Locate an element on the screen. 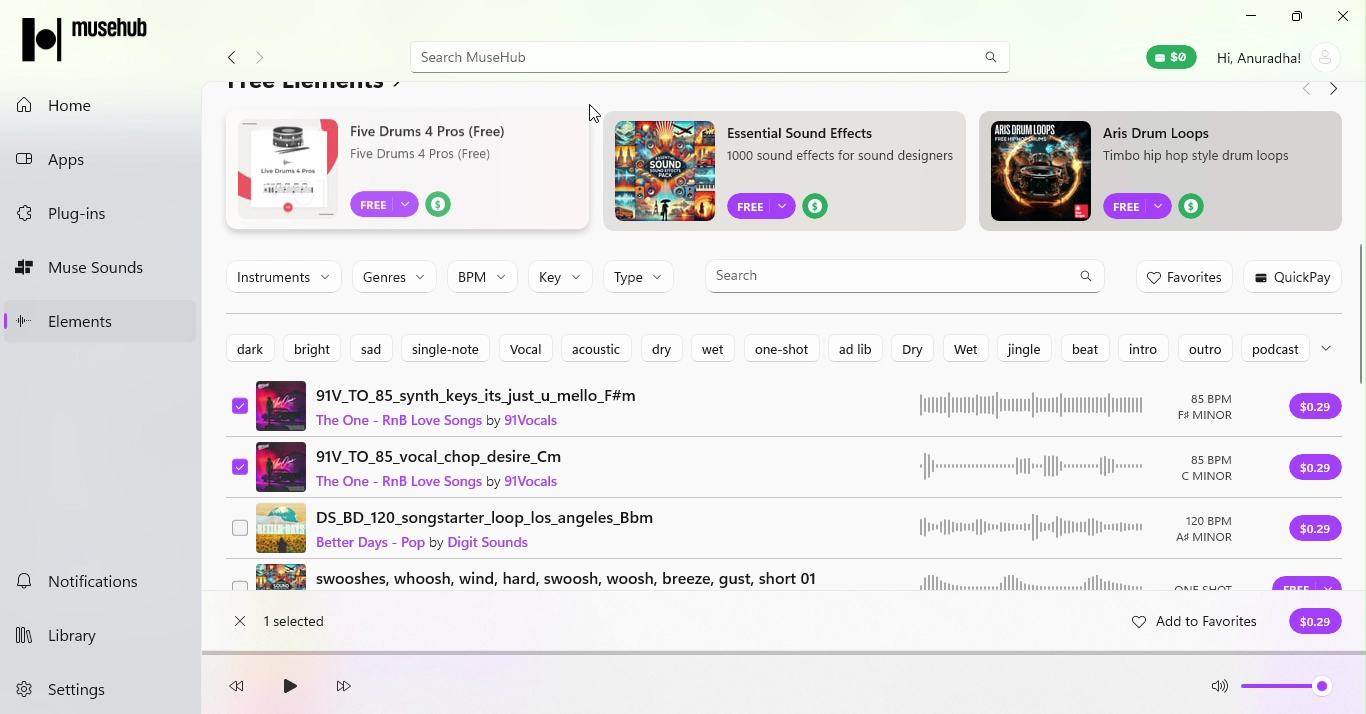  ad is located at coordinates (403, 172).